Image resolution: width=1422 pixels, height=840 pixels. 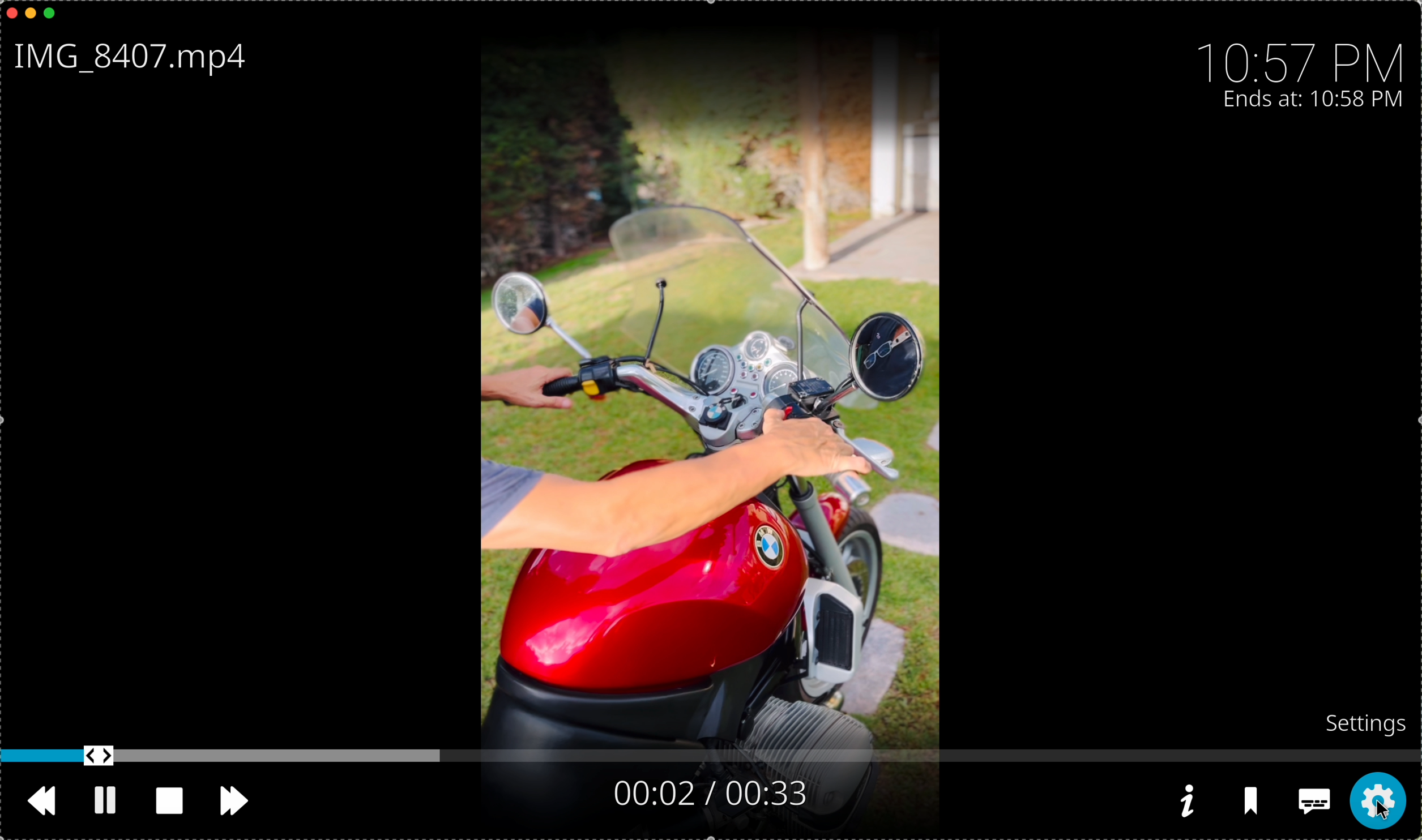 I want to click on information, so click(x=1185, y=801).